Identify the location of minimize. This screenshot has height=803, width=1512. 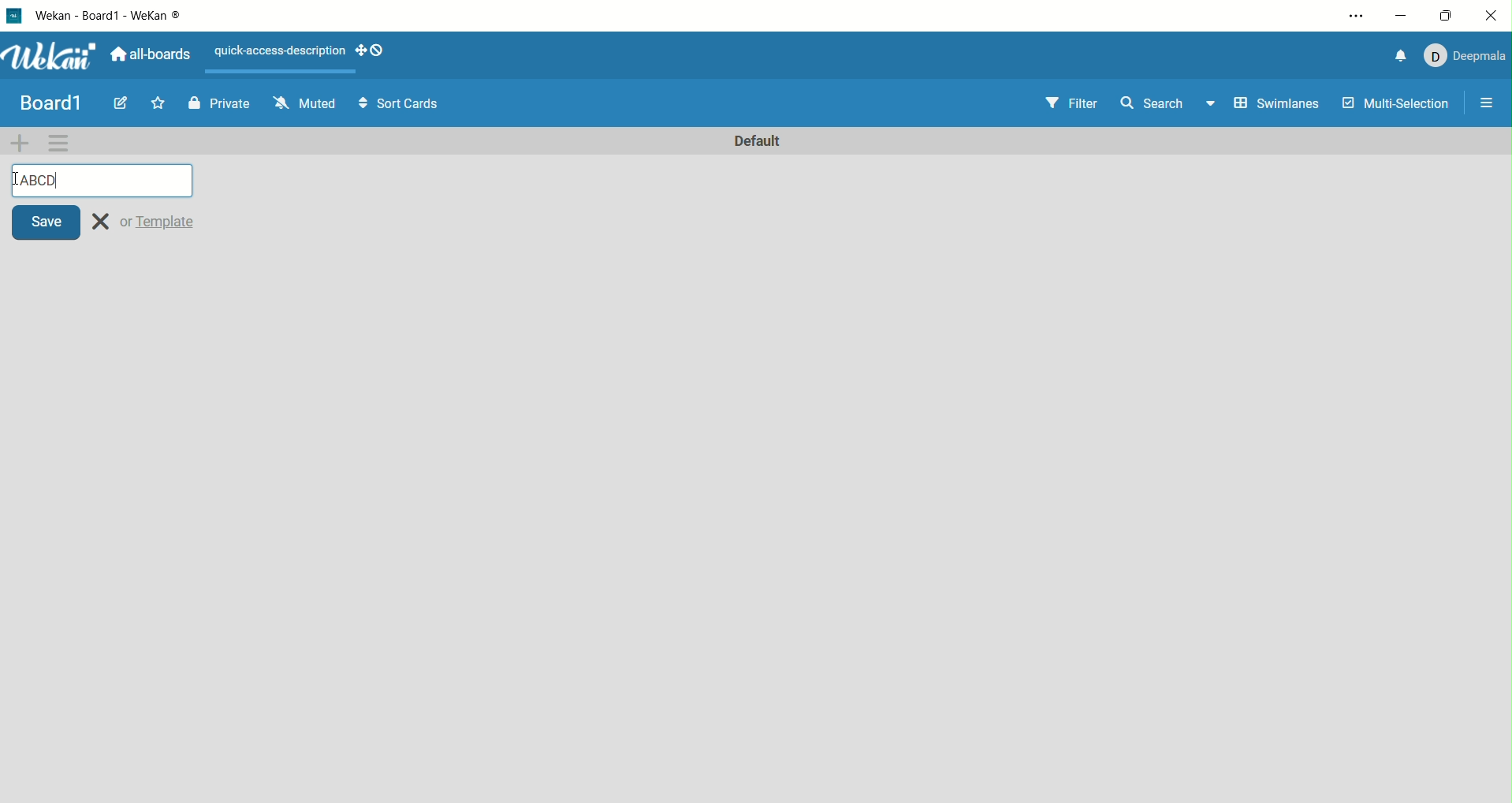
(1403, 17).